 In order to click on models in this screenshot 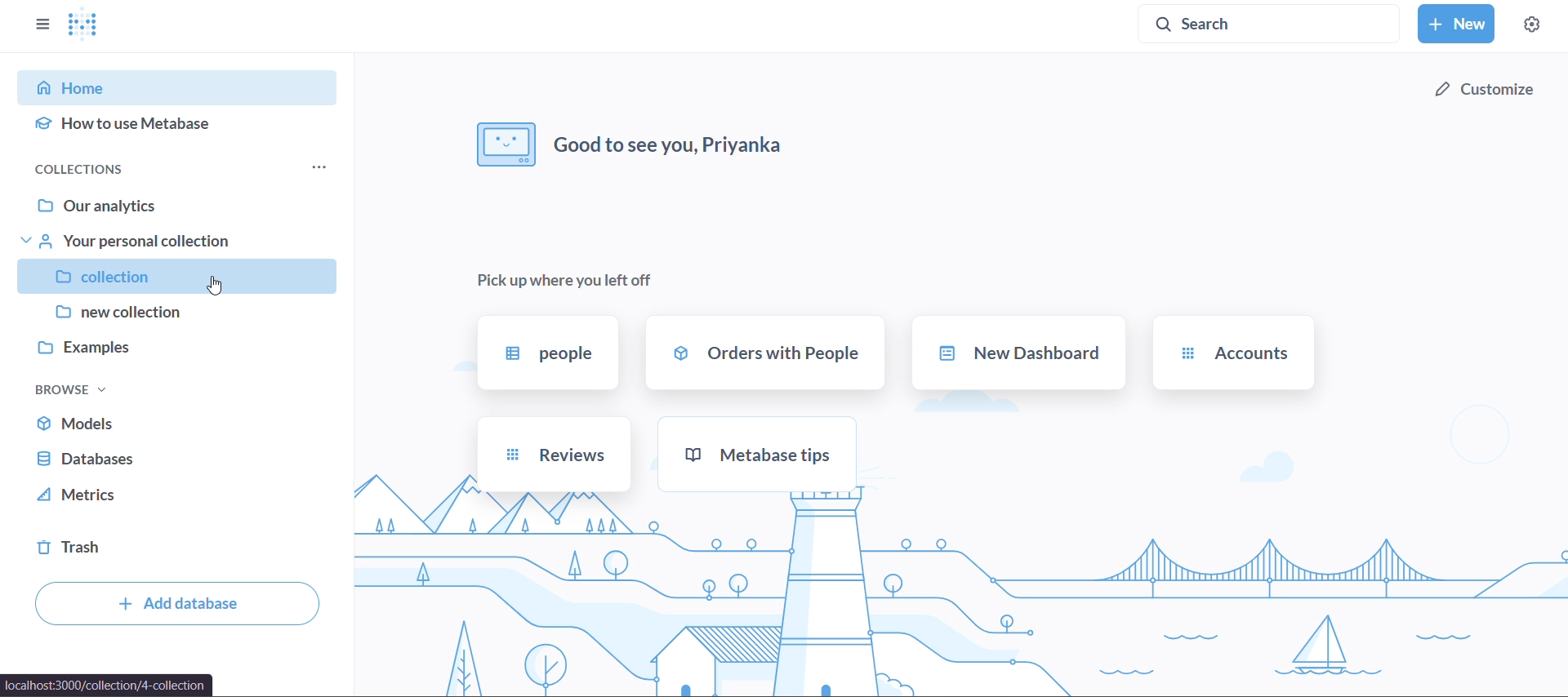, I will do `click(183, 422)`.